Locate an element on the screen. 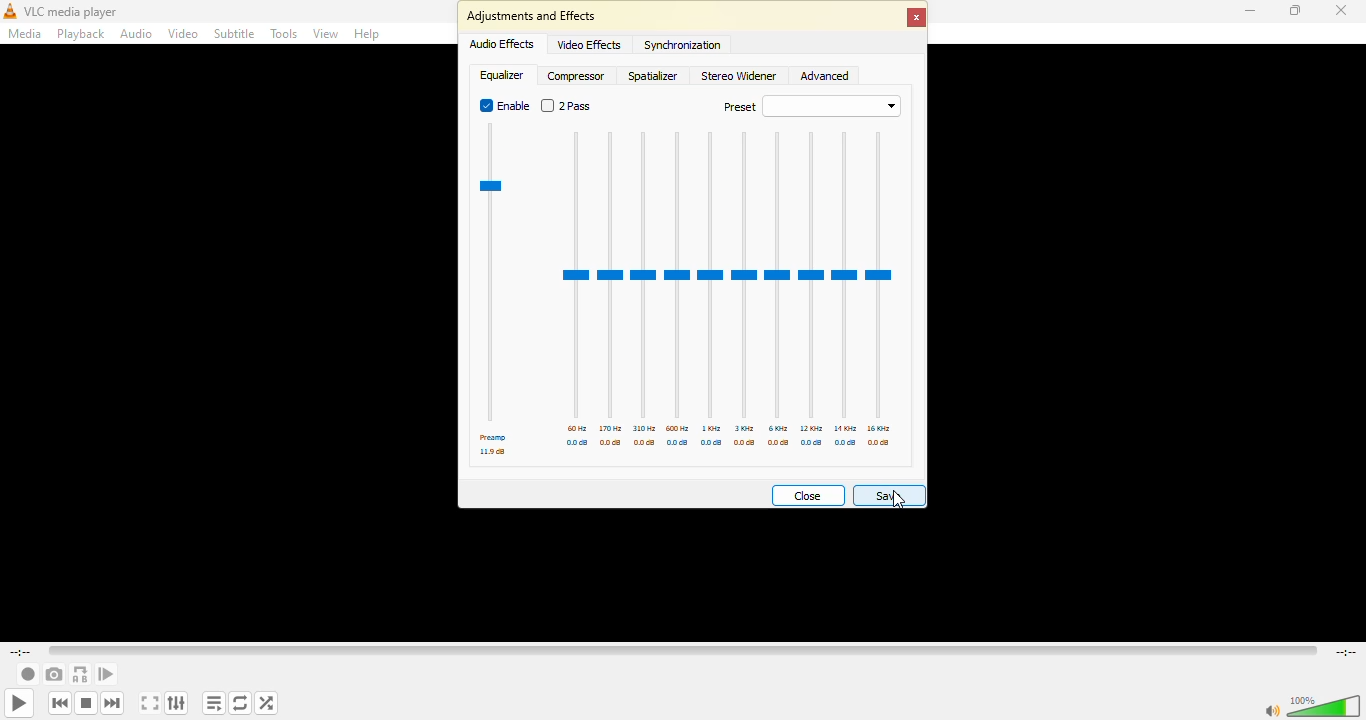  16 khz is located at coordinates (884, 428).